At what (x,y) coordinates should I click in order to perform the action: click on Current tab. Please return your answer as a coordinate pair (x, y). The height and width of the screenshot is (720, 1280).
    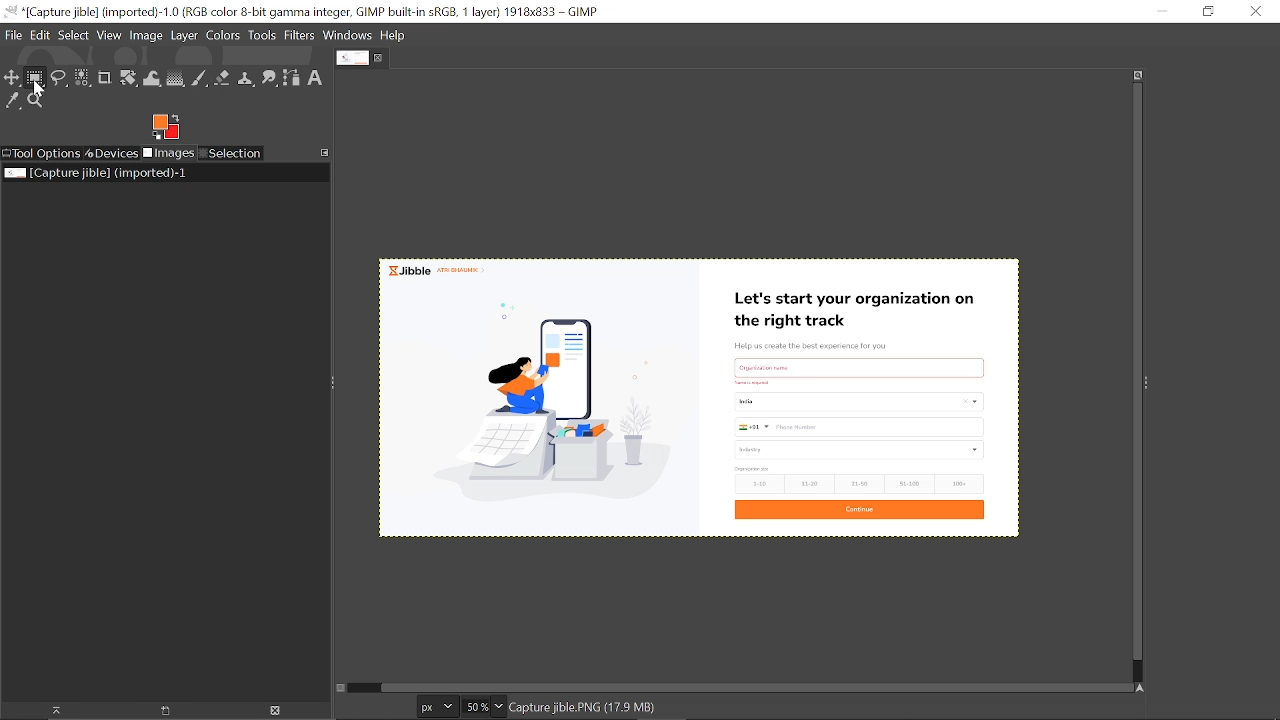
    Looking at the image, I should click on (351, 59).